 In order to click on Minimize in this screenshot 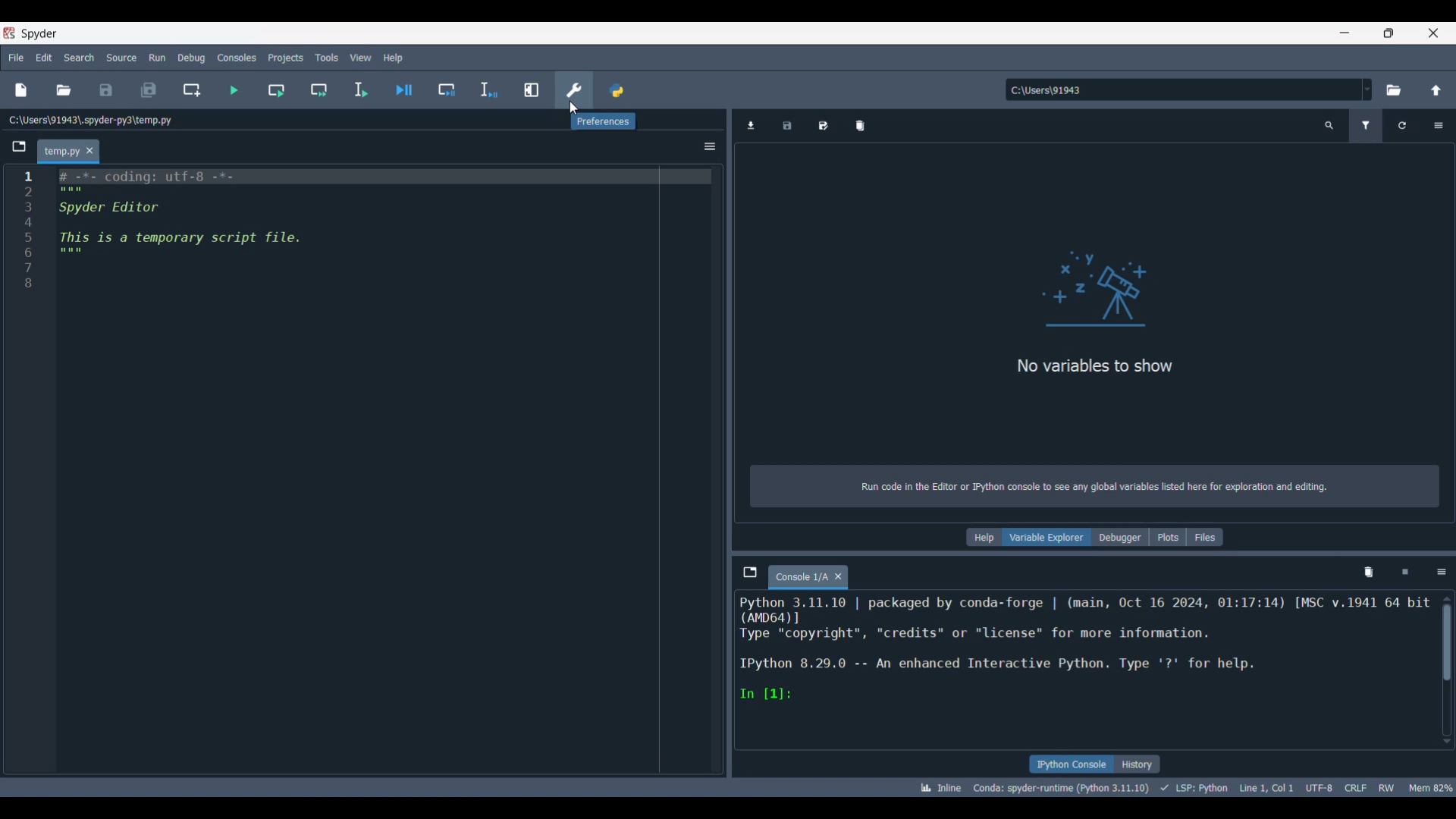, I will do `click(1345, 33)`.